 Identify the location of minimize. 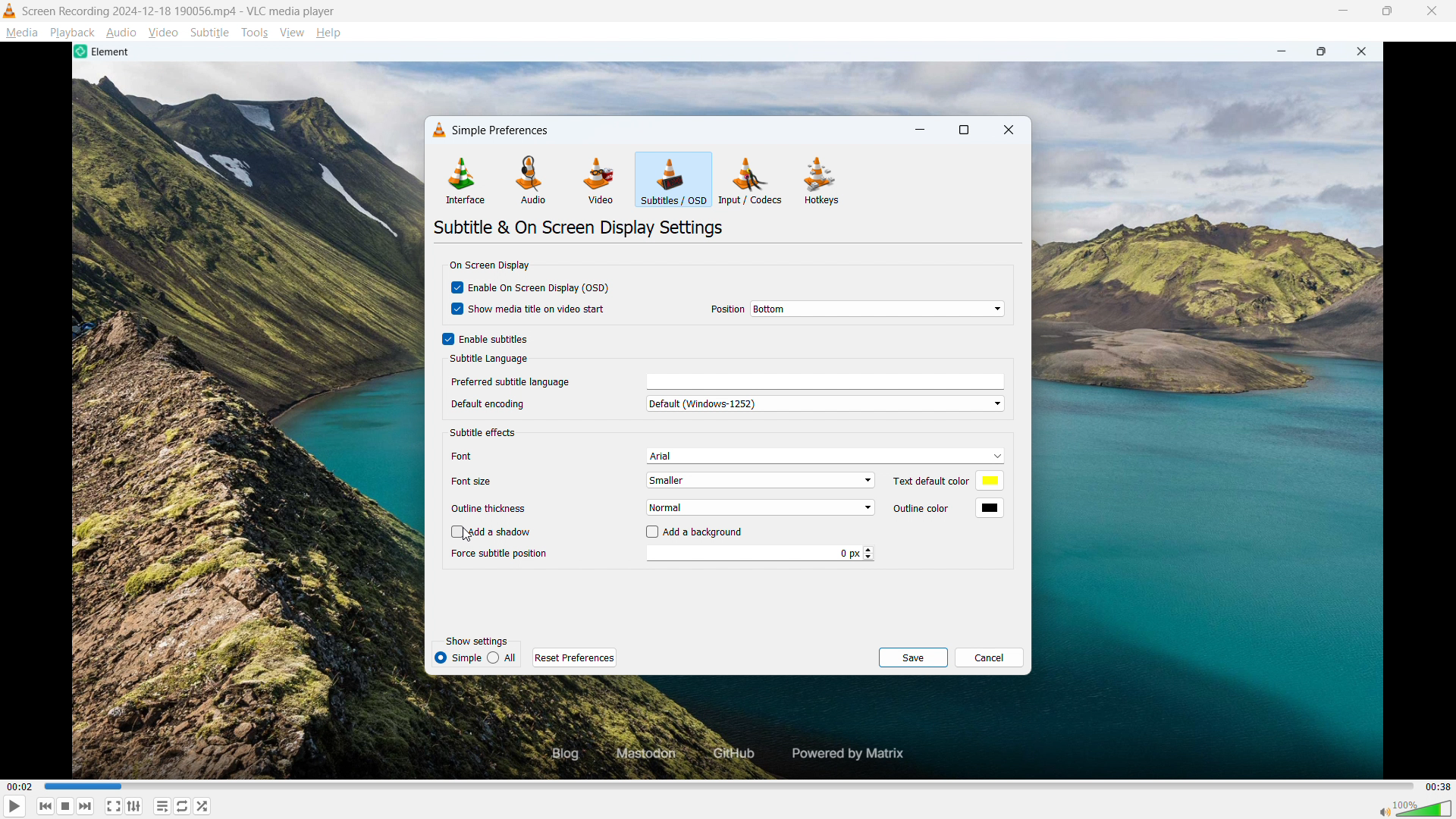
(1278, 52).